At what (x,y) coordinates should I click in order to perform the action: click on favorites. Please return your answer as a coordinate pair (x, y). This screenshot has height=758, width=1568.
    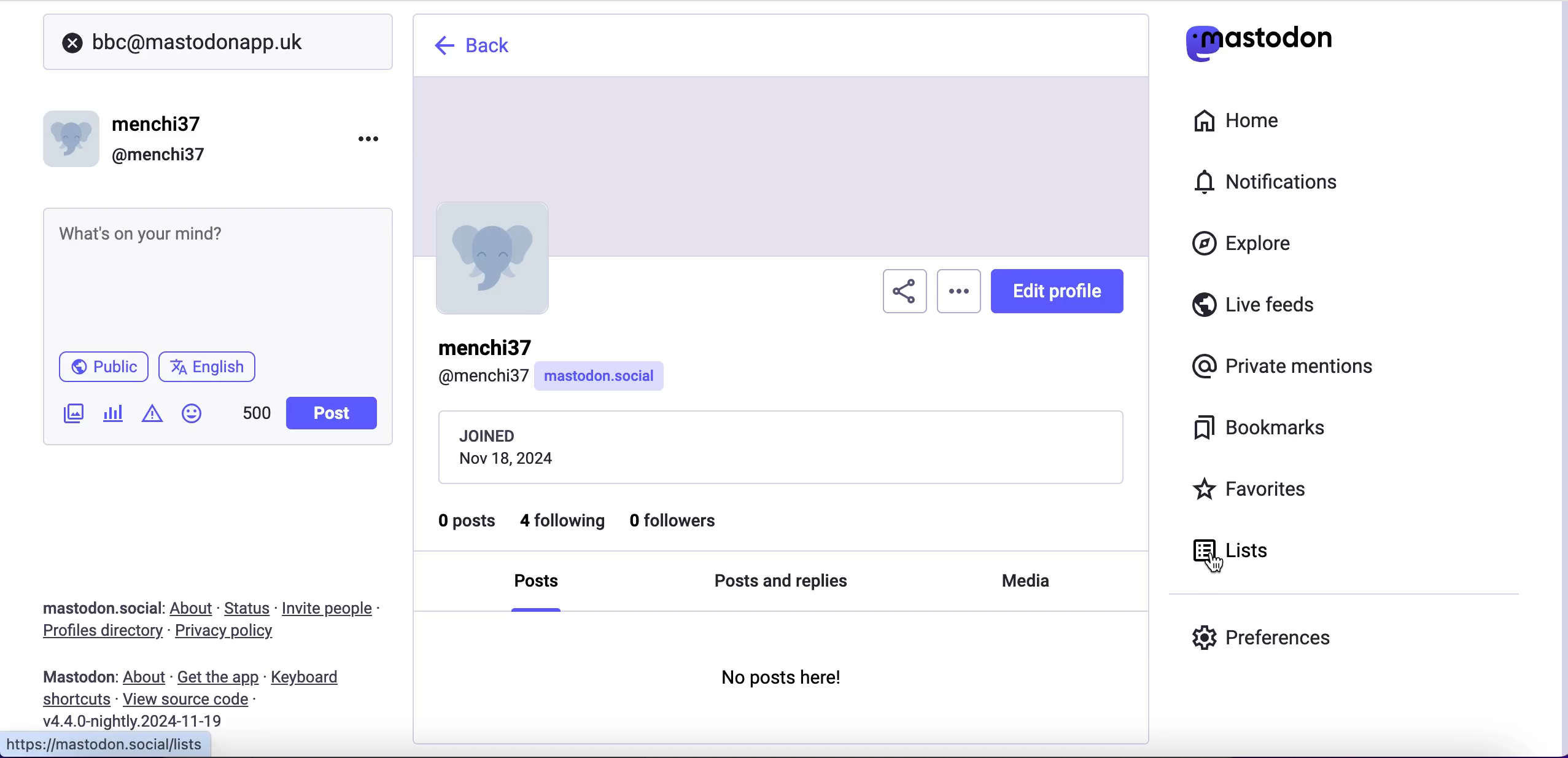
    Looking at the image, I should click on (1254, 491).